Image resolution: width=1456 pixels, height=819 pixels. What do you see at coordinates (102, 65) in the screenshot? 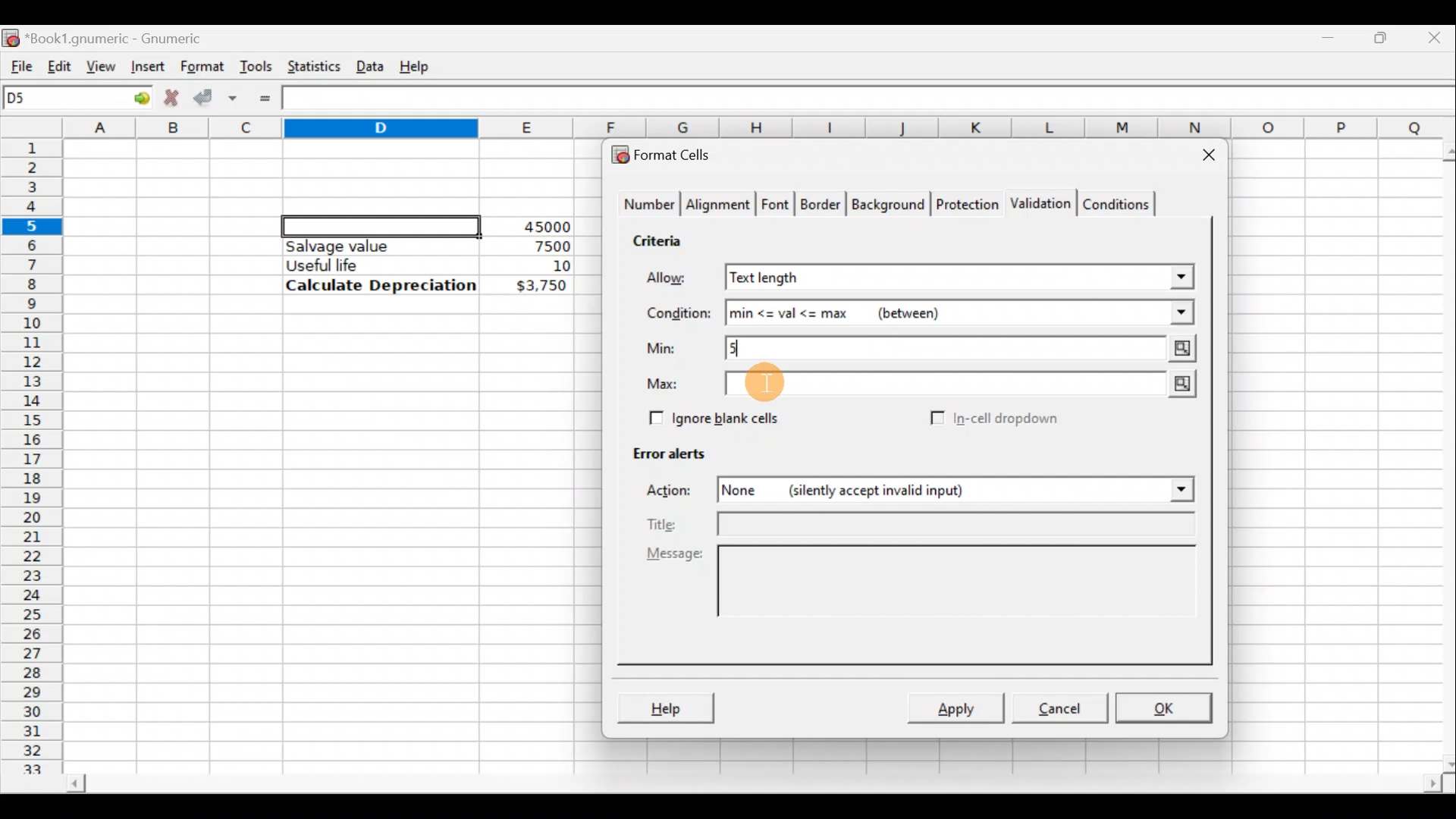
I see `View` at bounding box center [102, 65].